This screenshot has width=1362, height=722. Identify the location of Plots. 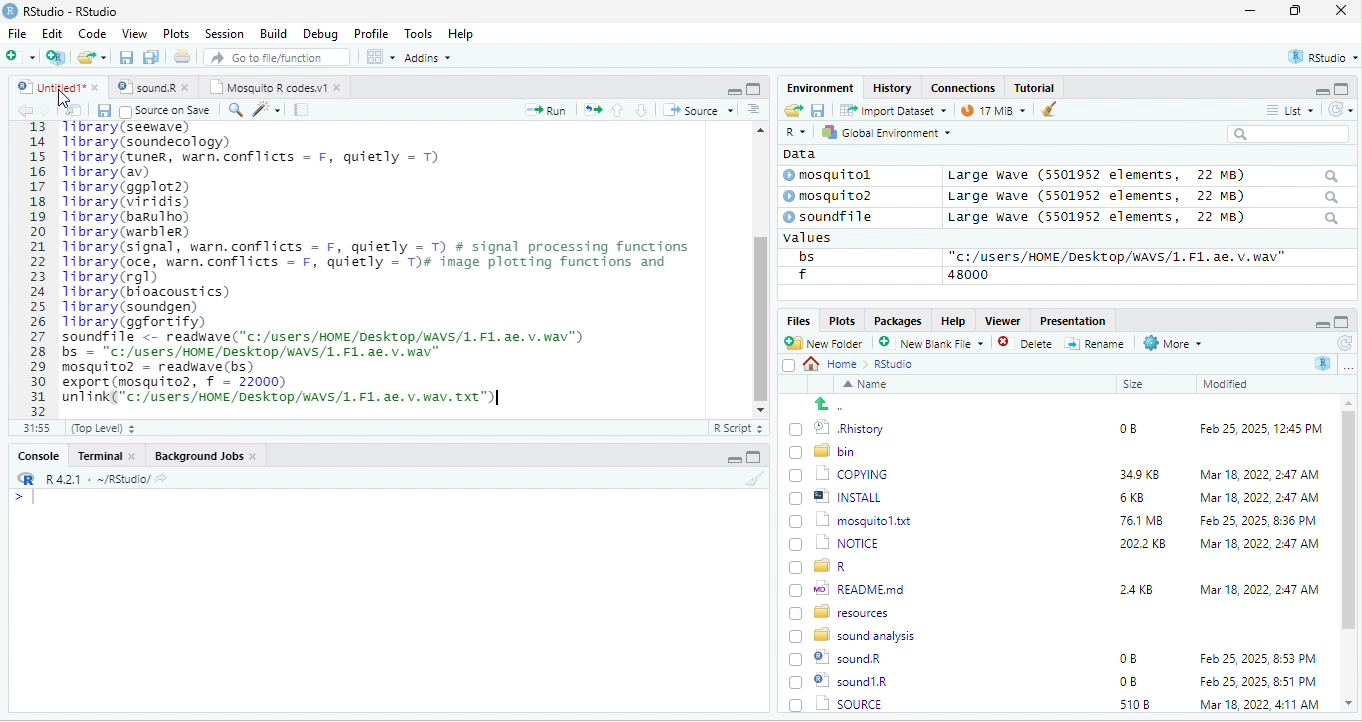
(177, 33).